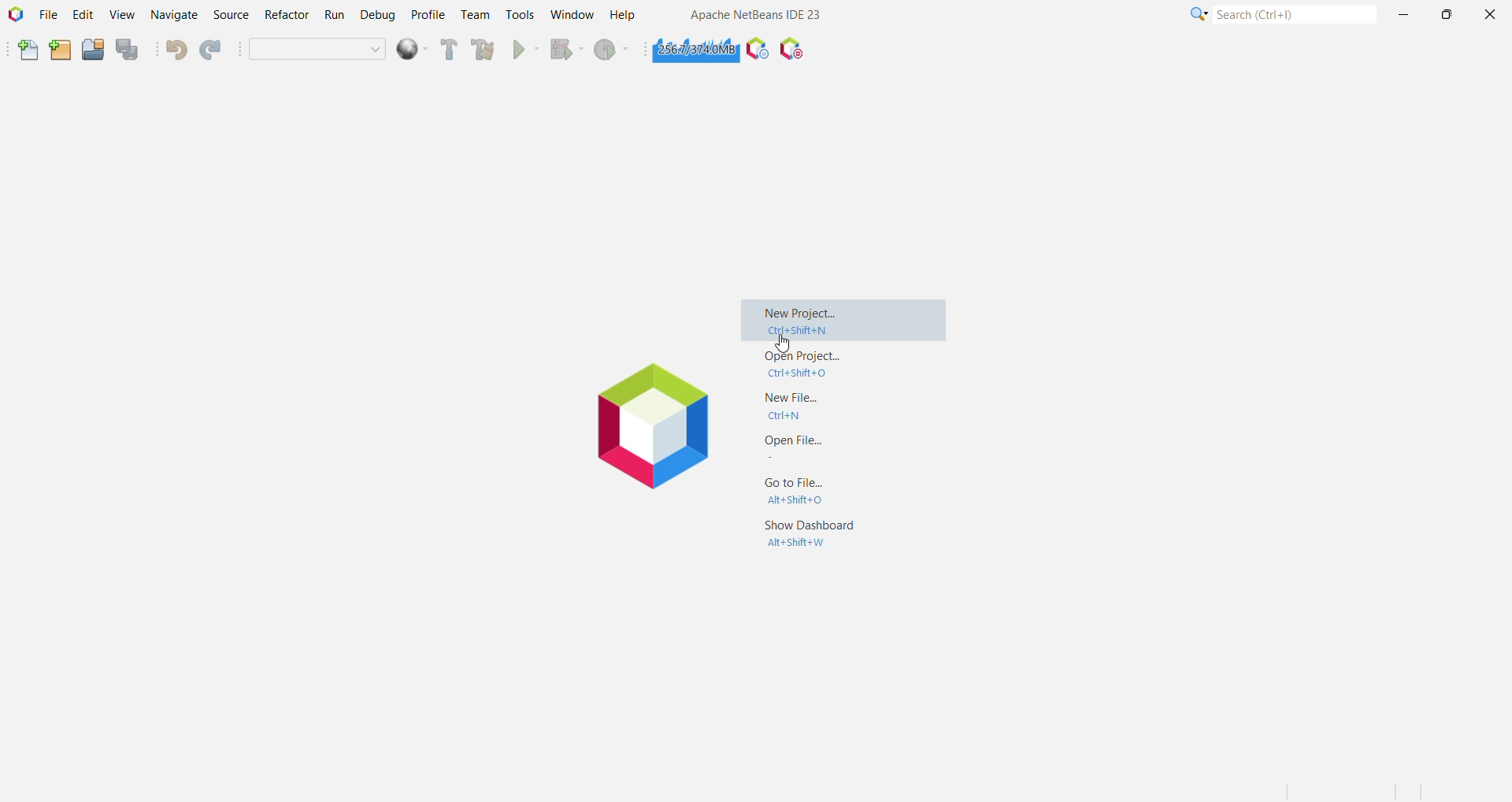  I want to click on Open Project, so click(847, 364).